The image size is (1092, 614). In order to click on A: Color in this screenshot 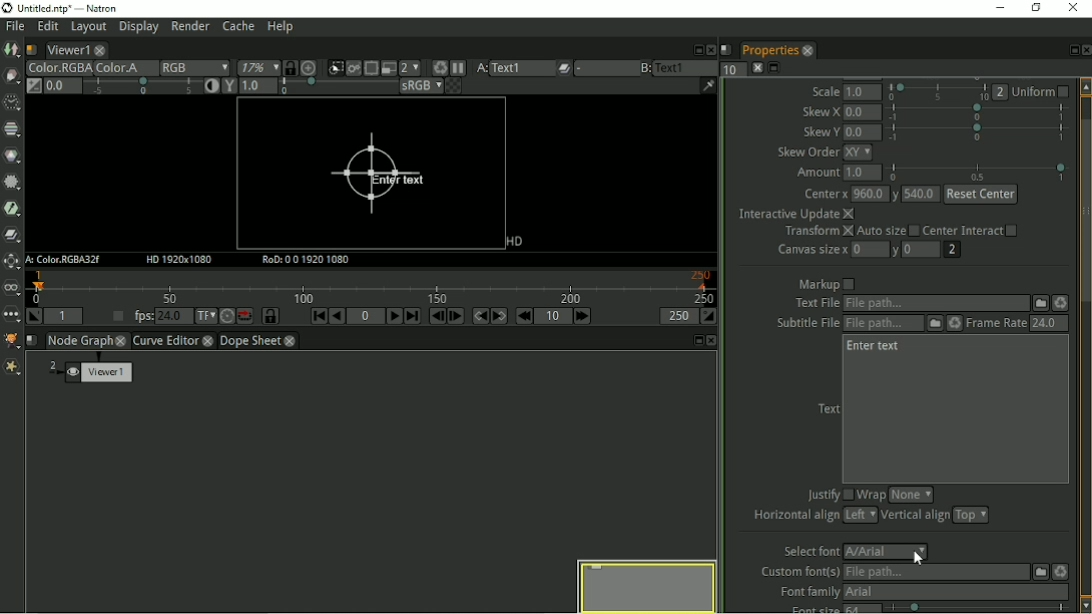, I will do `click(65, 260)`.